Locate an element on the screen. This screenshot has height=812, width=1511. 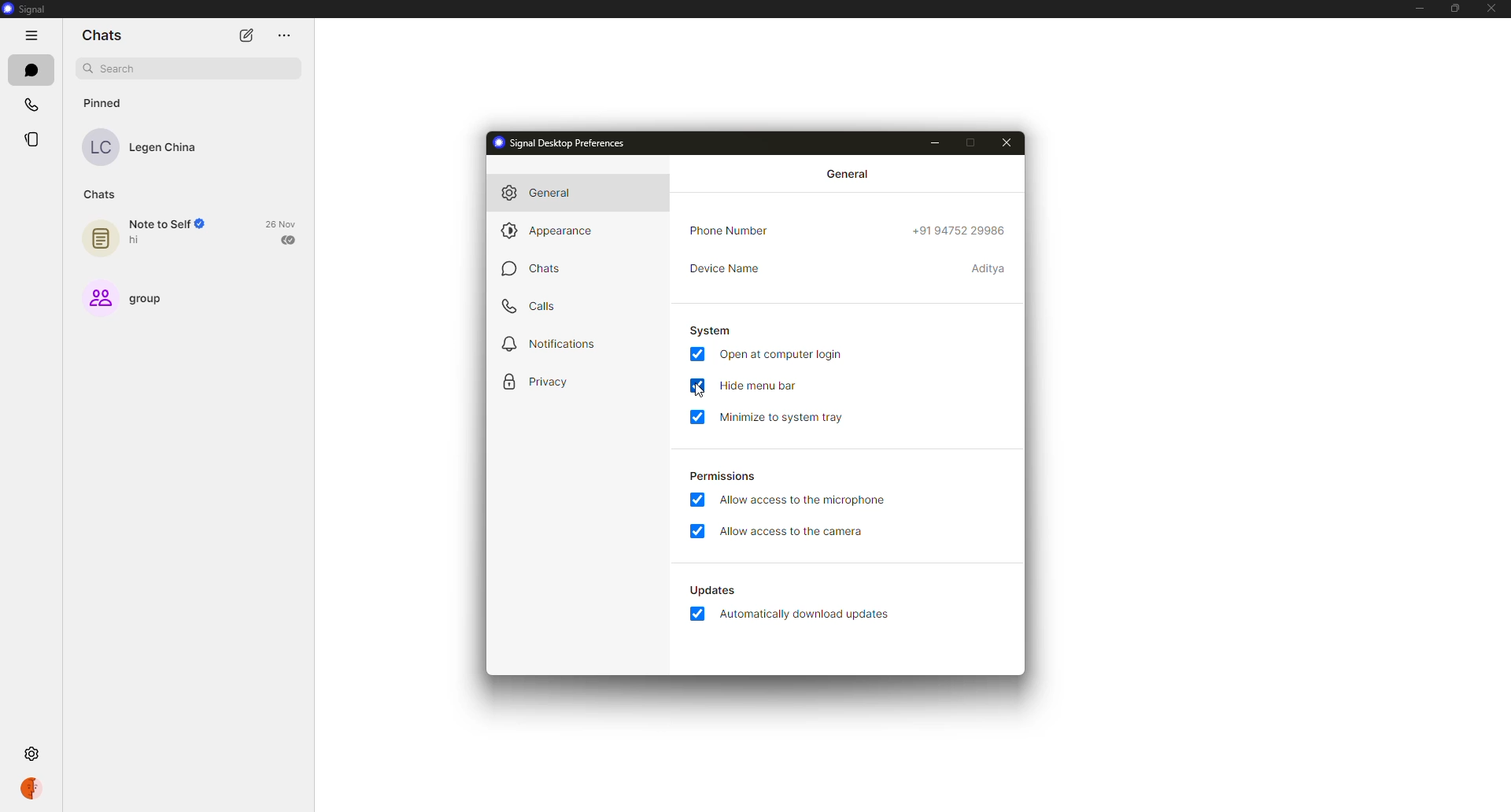
open at computer login is located at coordinates (782, 354).